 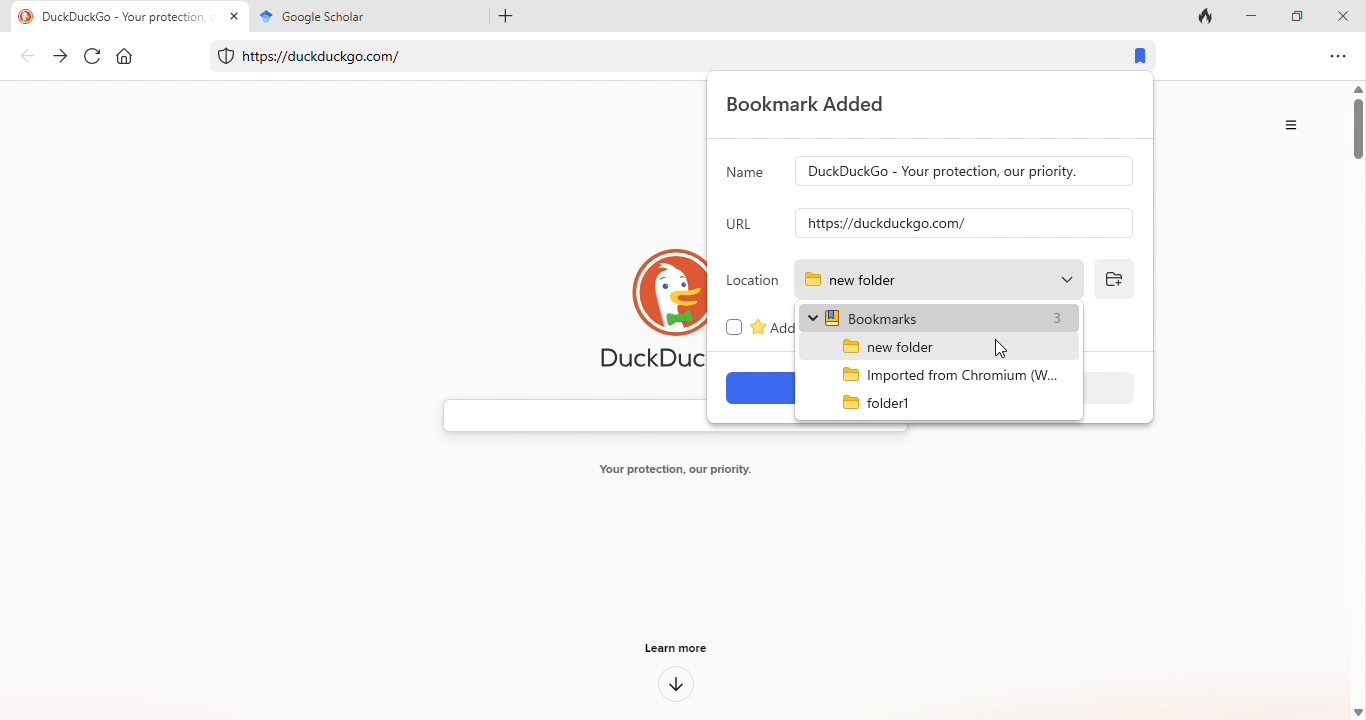 I want to click on bookmark added, so click(x=817, y=105).